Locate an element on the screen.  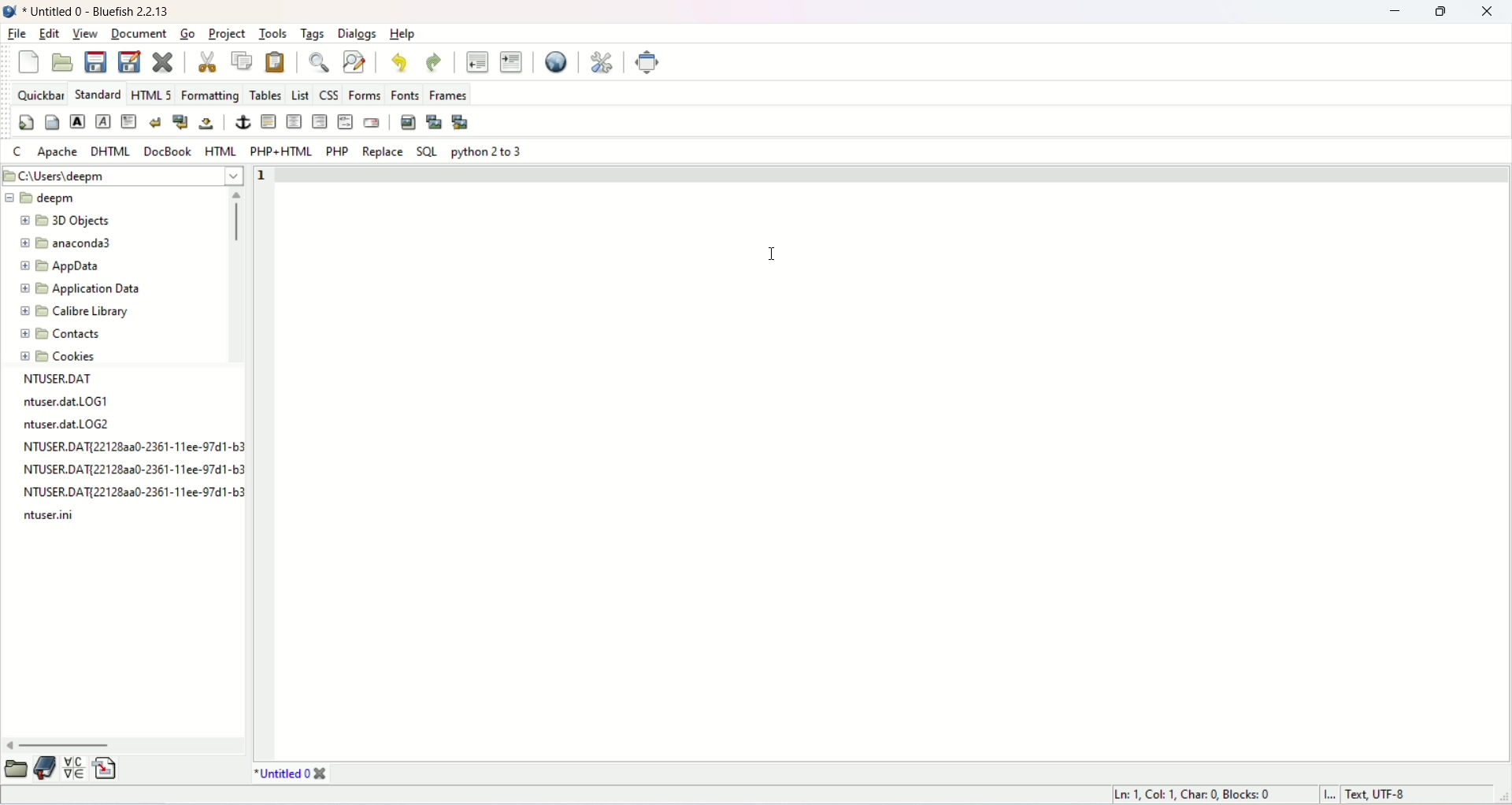
page number is located at coordinates (266, 176).